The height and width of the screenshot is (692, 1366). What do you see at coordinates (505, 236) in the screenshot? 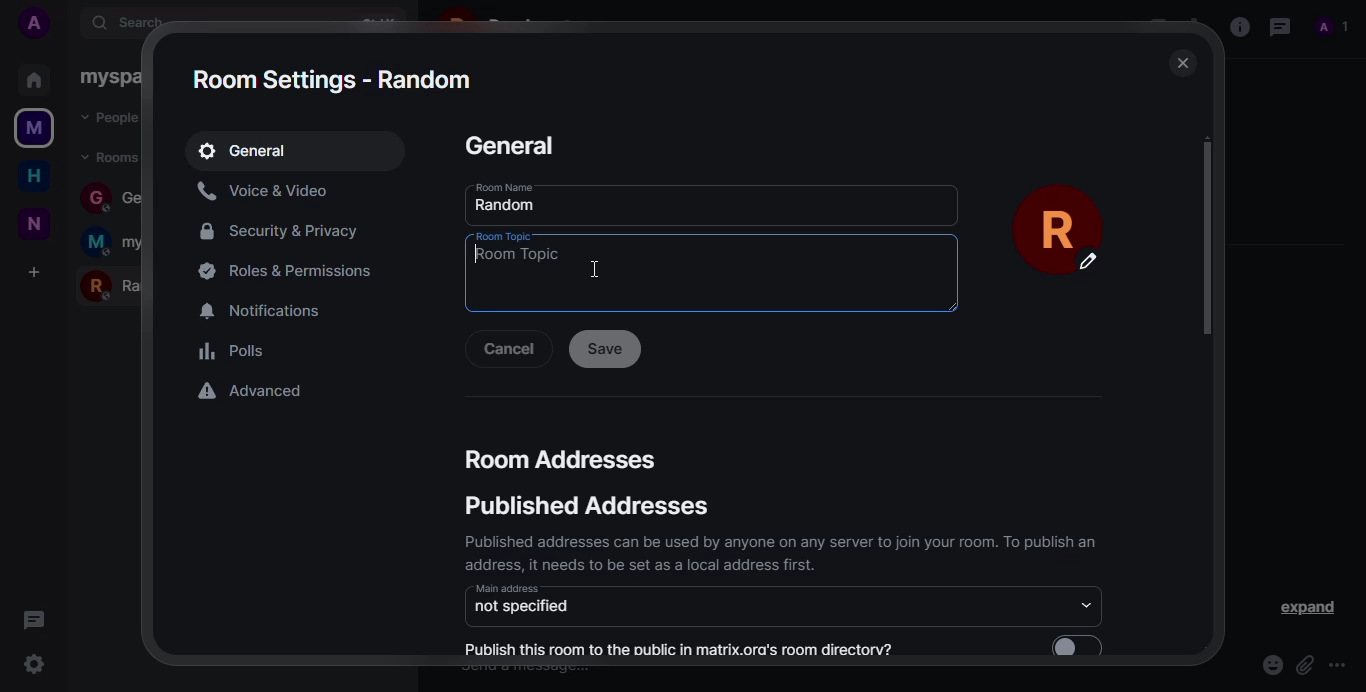
I see `room topic` at bounding box center [505, 236].